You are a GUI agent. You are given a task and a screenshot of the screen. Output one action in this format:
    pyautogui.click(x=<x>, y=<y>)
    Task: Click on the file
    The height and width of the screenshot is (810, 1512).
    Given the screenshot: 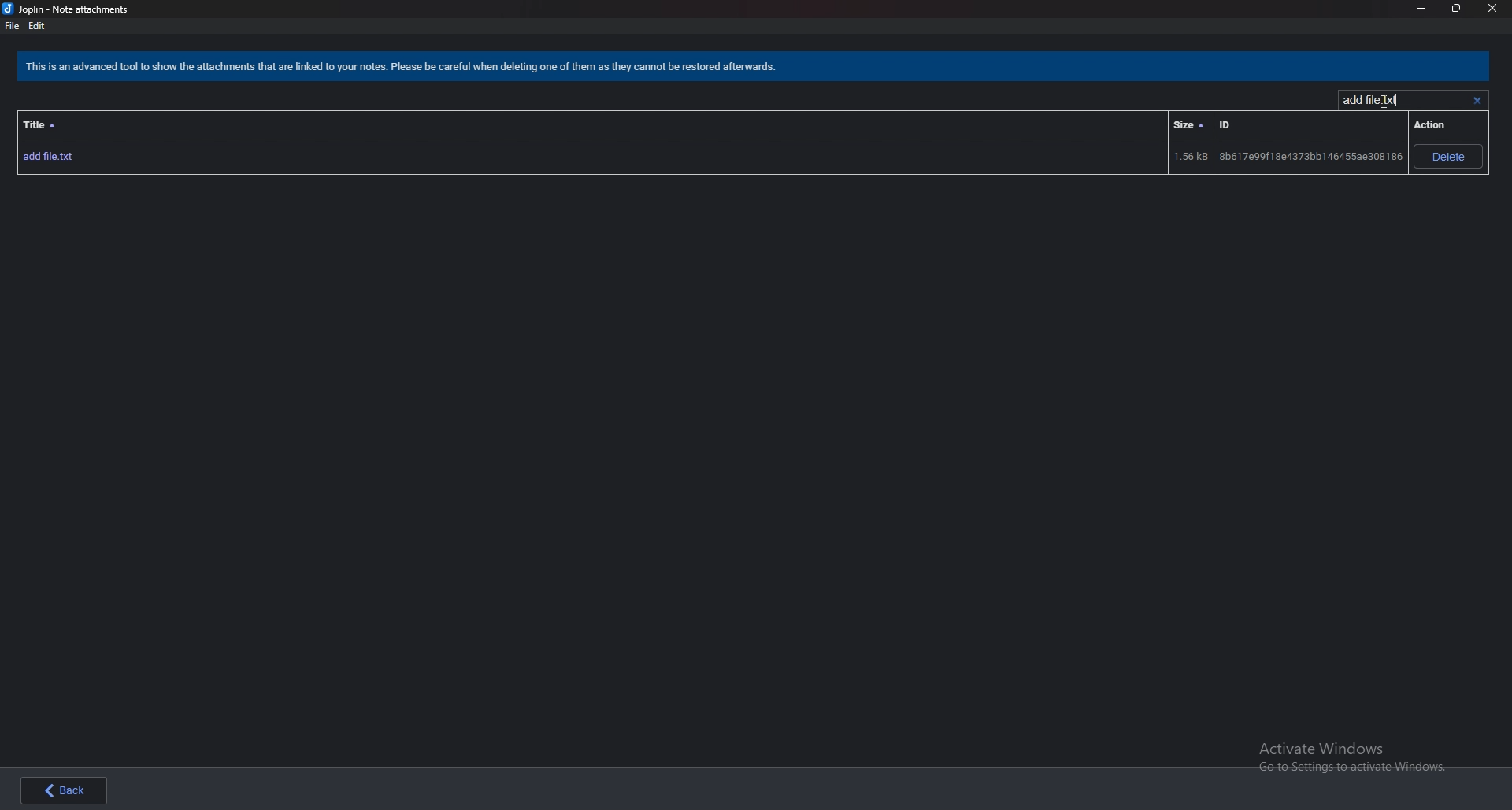 What is the action you would take?
    pyautogui.click(x=11, y=26)
    